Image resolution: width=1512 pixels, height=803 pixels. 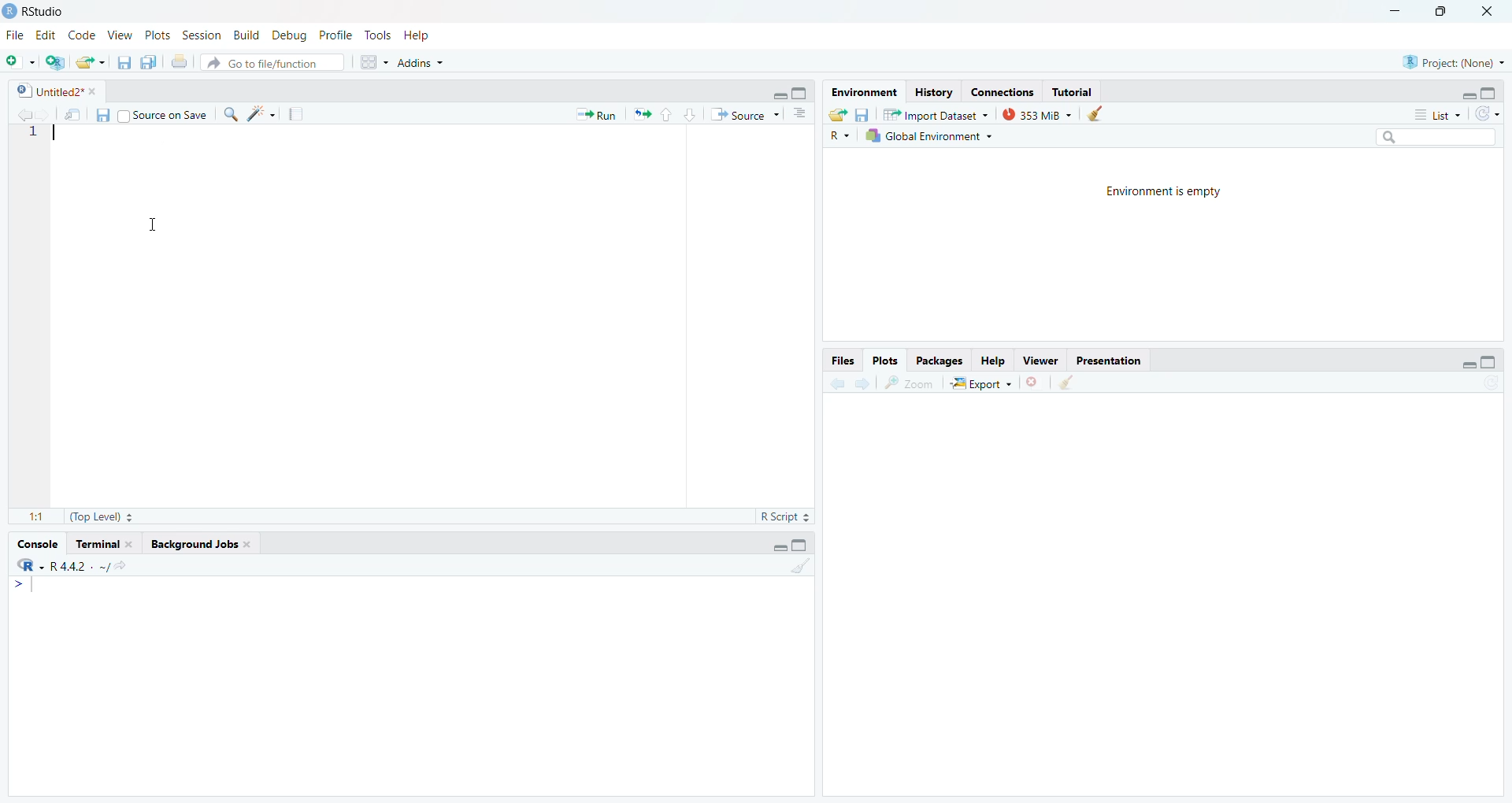 I want to click on  Goto file/function, so click(x=275, y=64).